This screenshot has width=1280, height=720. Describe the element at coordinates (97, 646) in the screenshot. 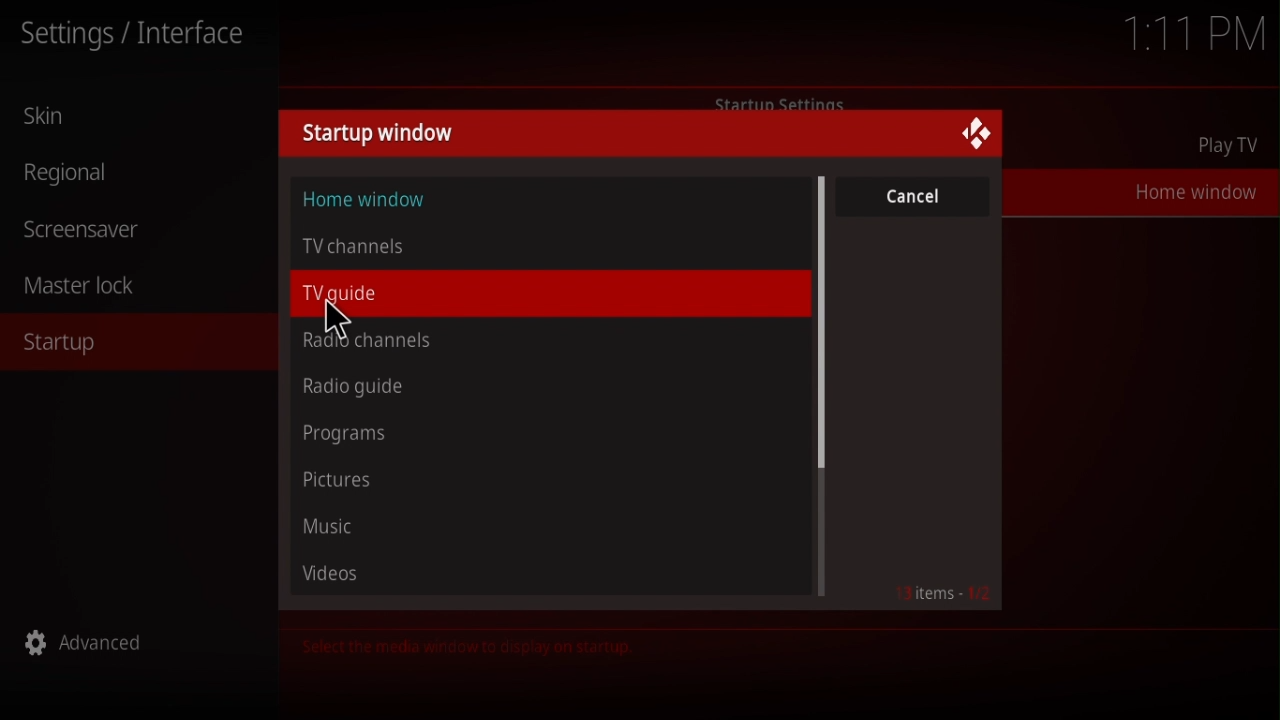

I see `advanced setting` at that location.